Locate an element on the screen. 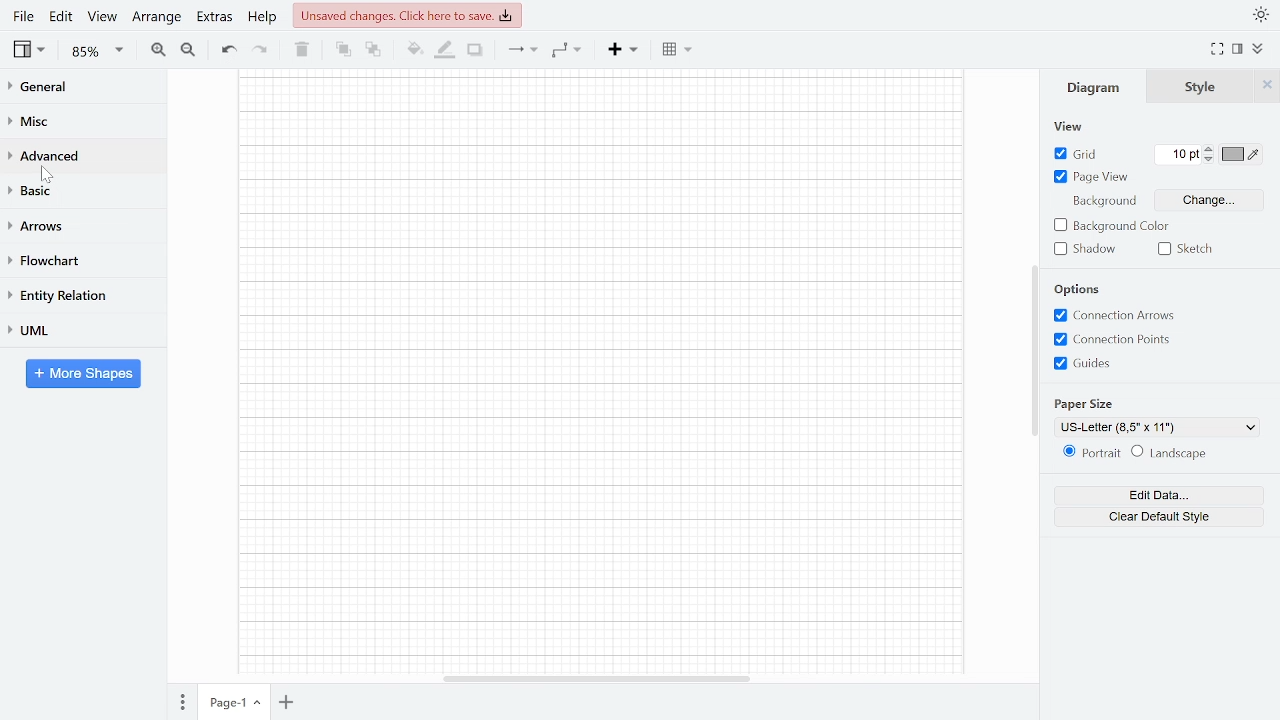 Image resolution: width=1280 pixels, height=720 pixels. Pages is located at coordinates (182, 701).